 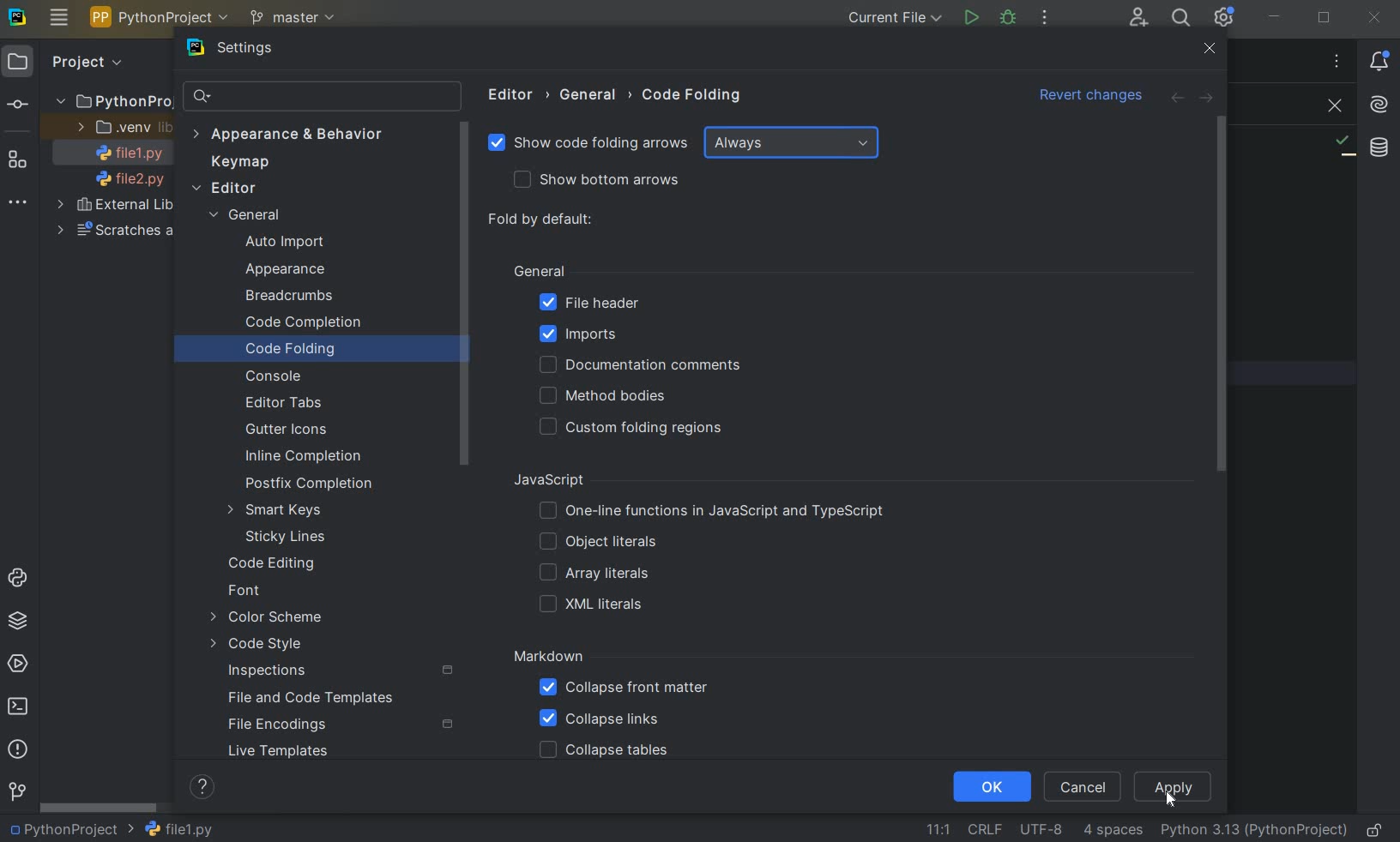 I want to click on COLLAPSE FRONT MATTER, so click(x=624, y=690).